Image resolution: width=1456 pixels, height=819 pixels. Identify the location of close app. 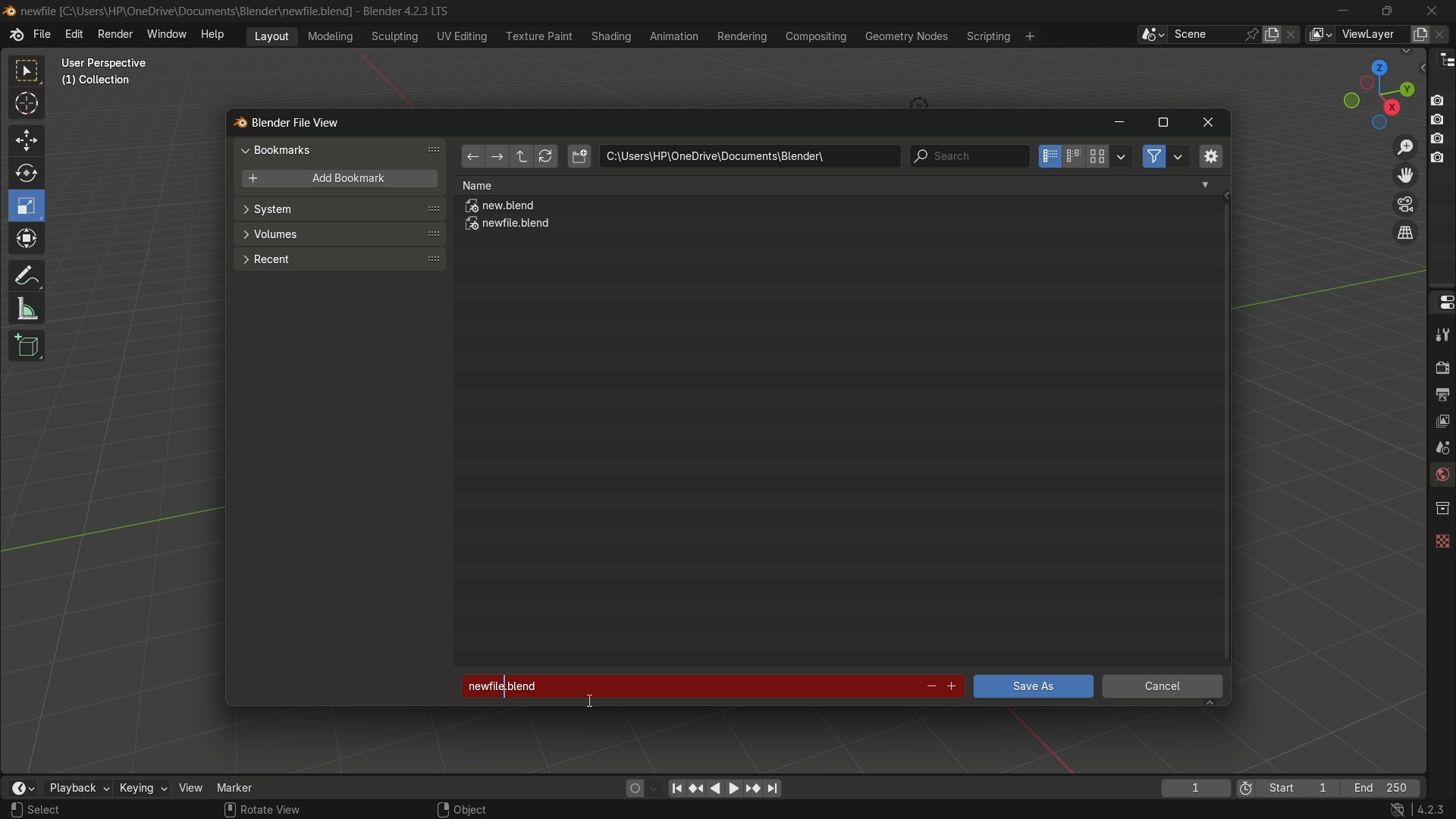
(1432, 10).